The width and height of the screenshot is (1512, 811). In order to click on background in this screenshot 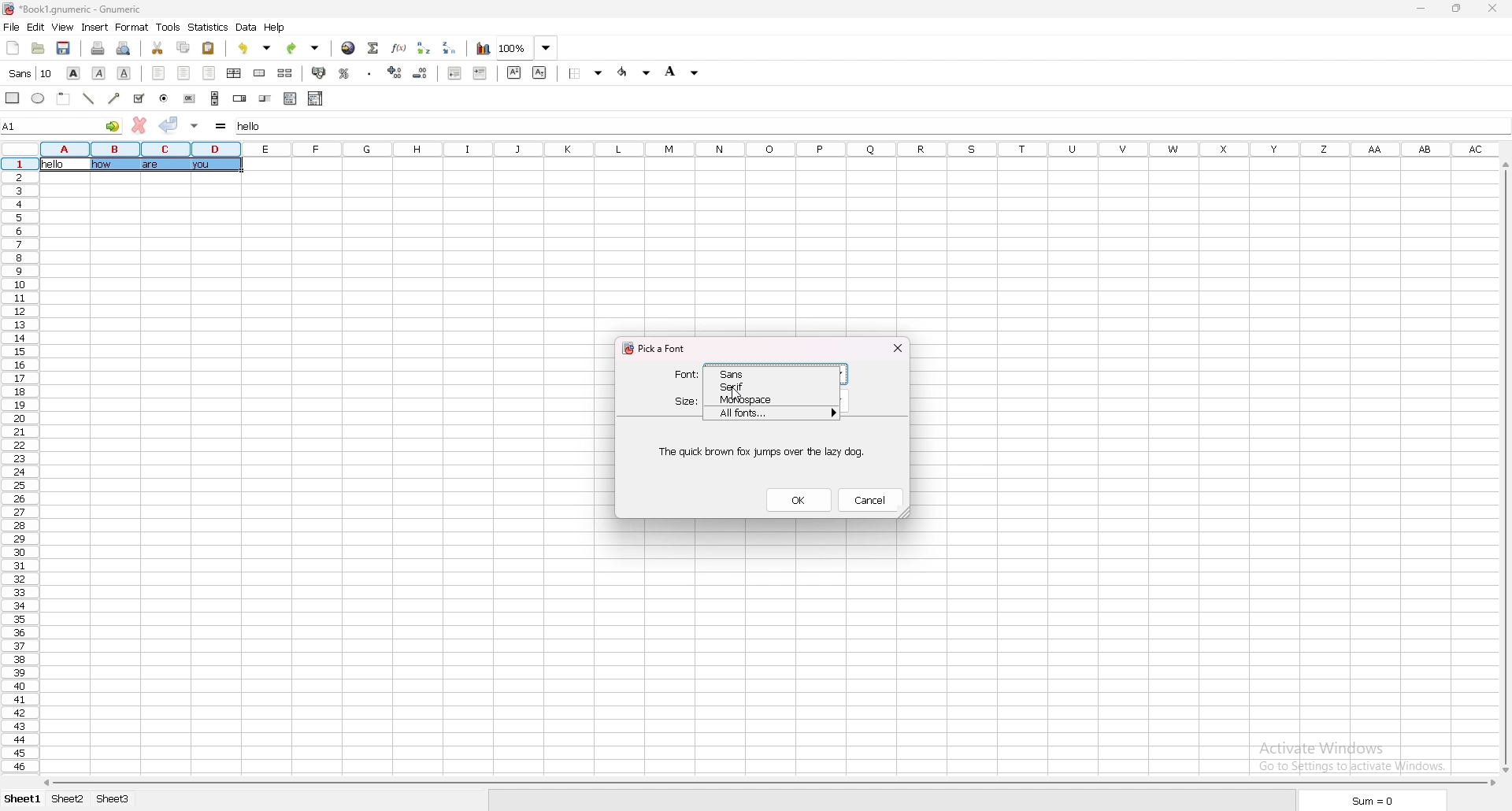, I will do `click(684, 71)`.